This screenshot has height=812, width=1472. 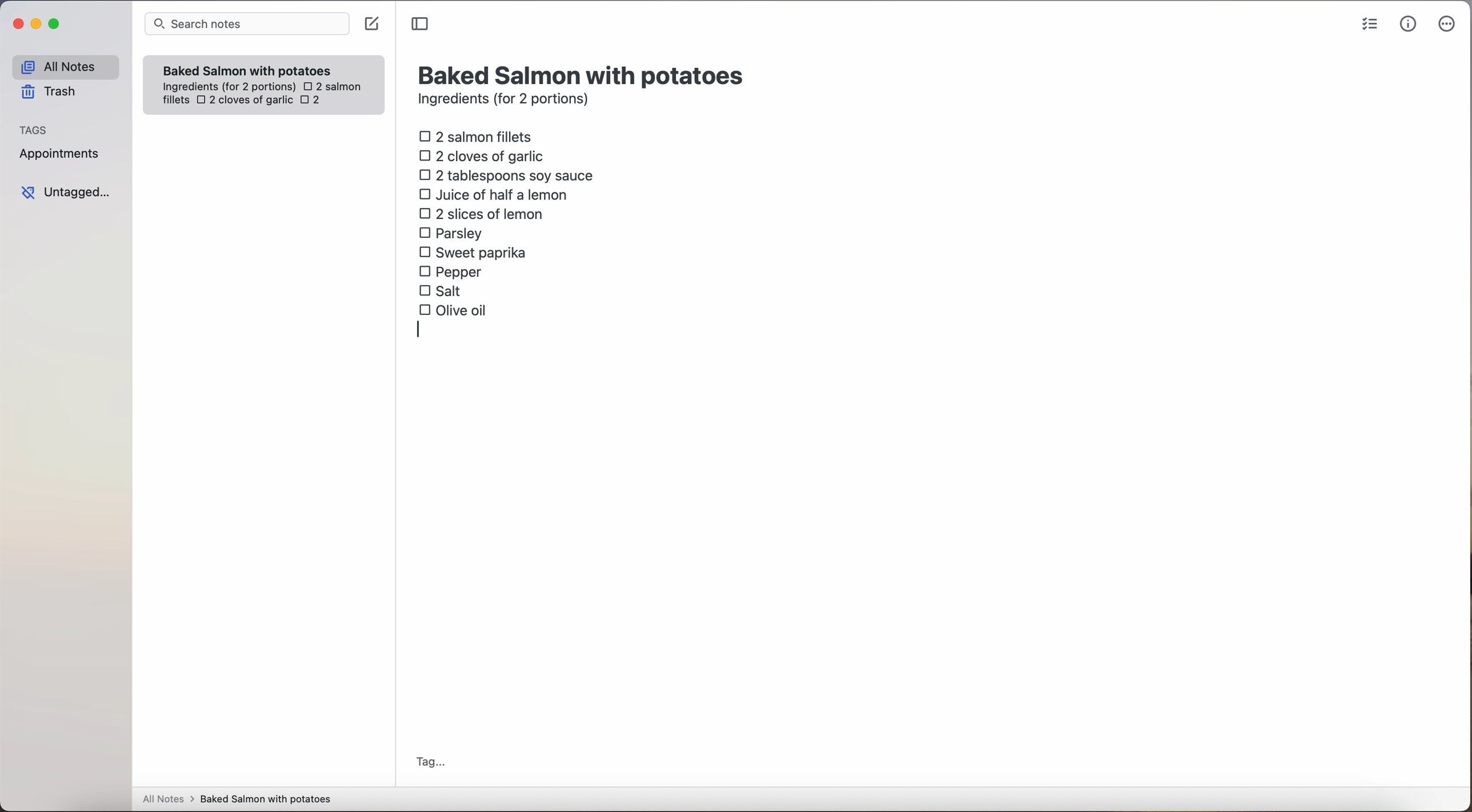 What do you see at coordinates (421, 25) in the screenshot?
I see `toggle sidebar` at bounding box center [421, 25].